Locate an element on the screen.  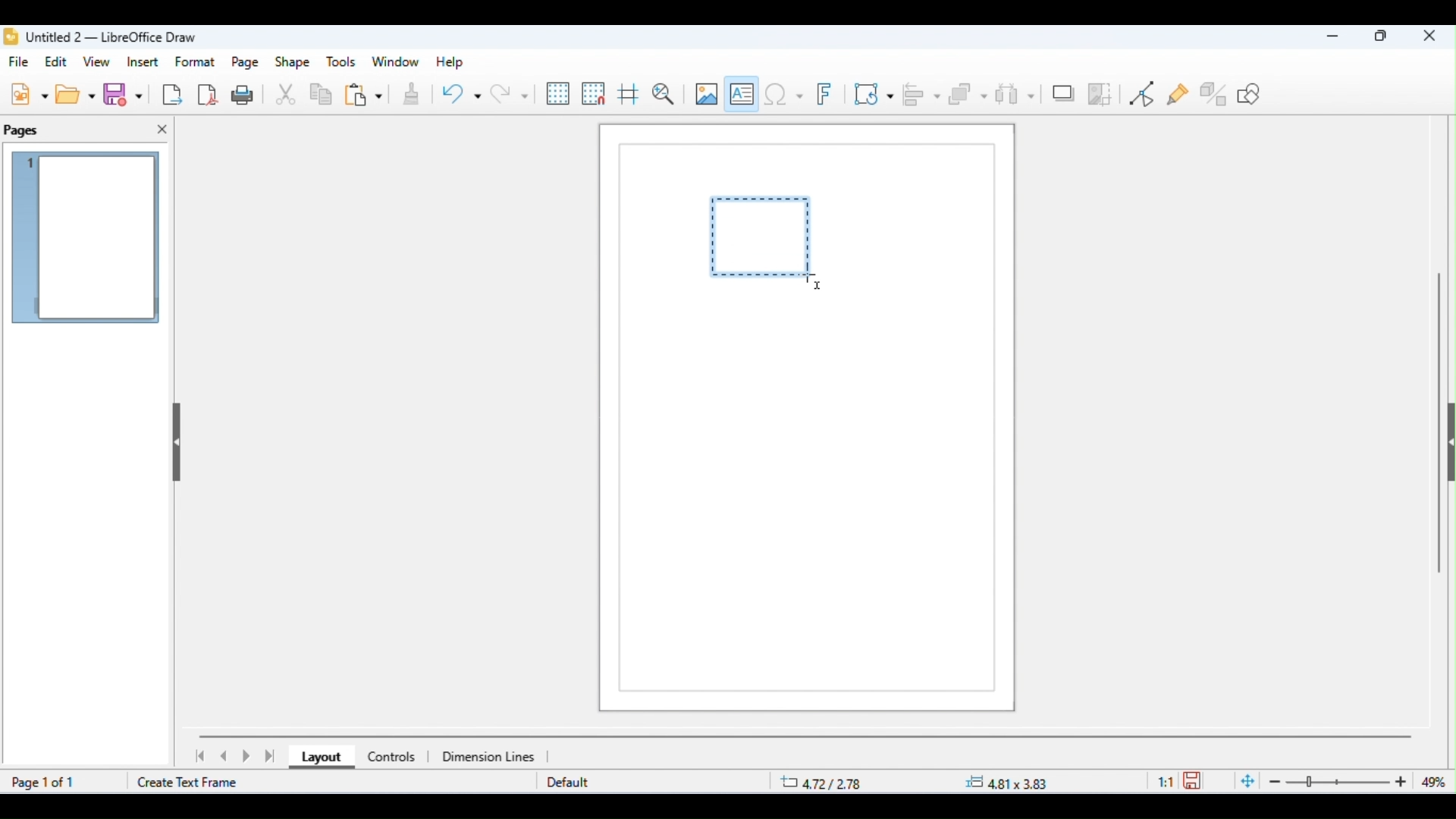
dimensions line is located at coordinates (491, 756).